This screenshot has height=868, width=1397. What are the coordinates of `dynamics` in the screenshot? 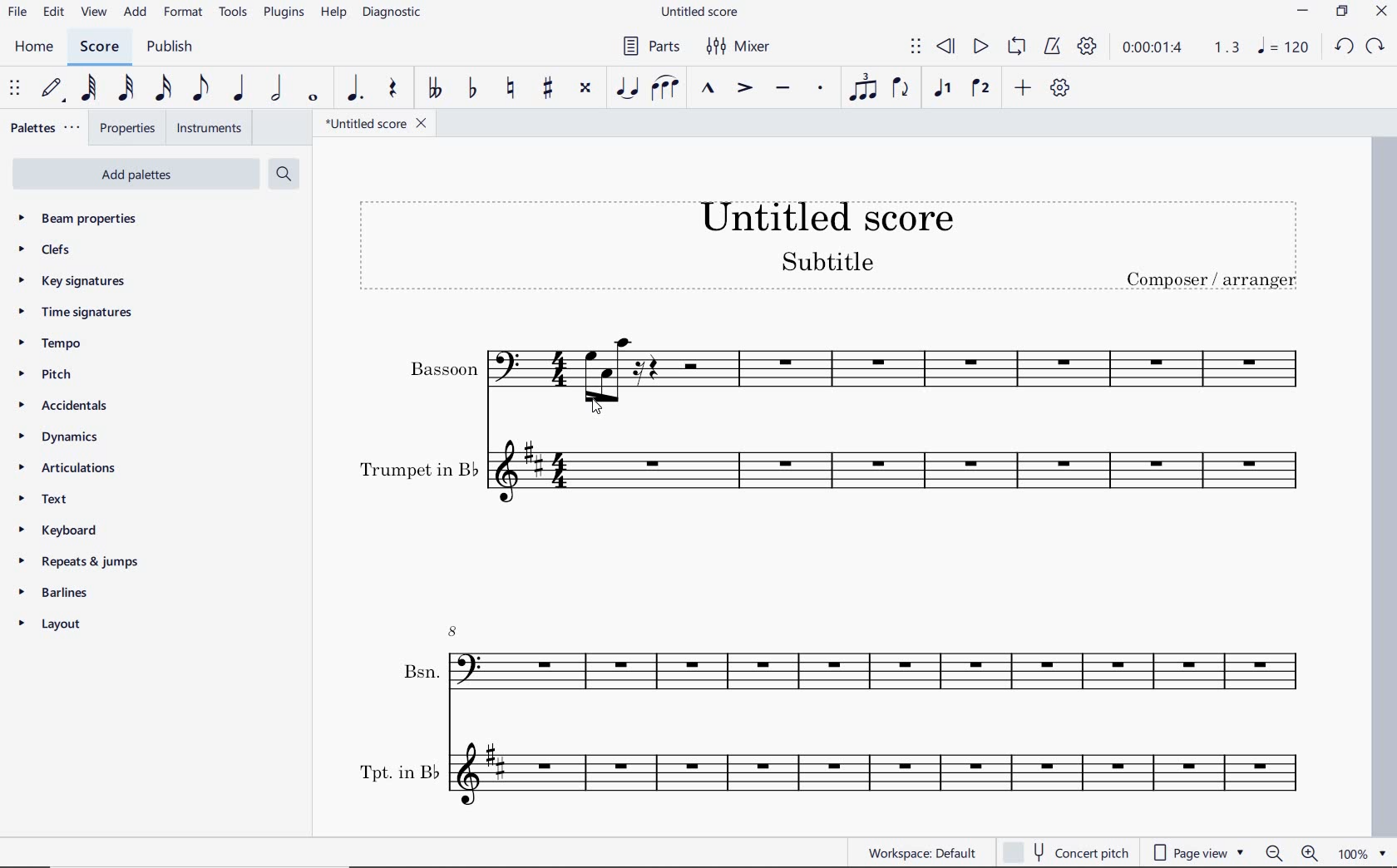 It's located at (61, 435).